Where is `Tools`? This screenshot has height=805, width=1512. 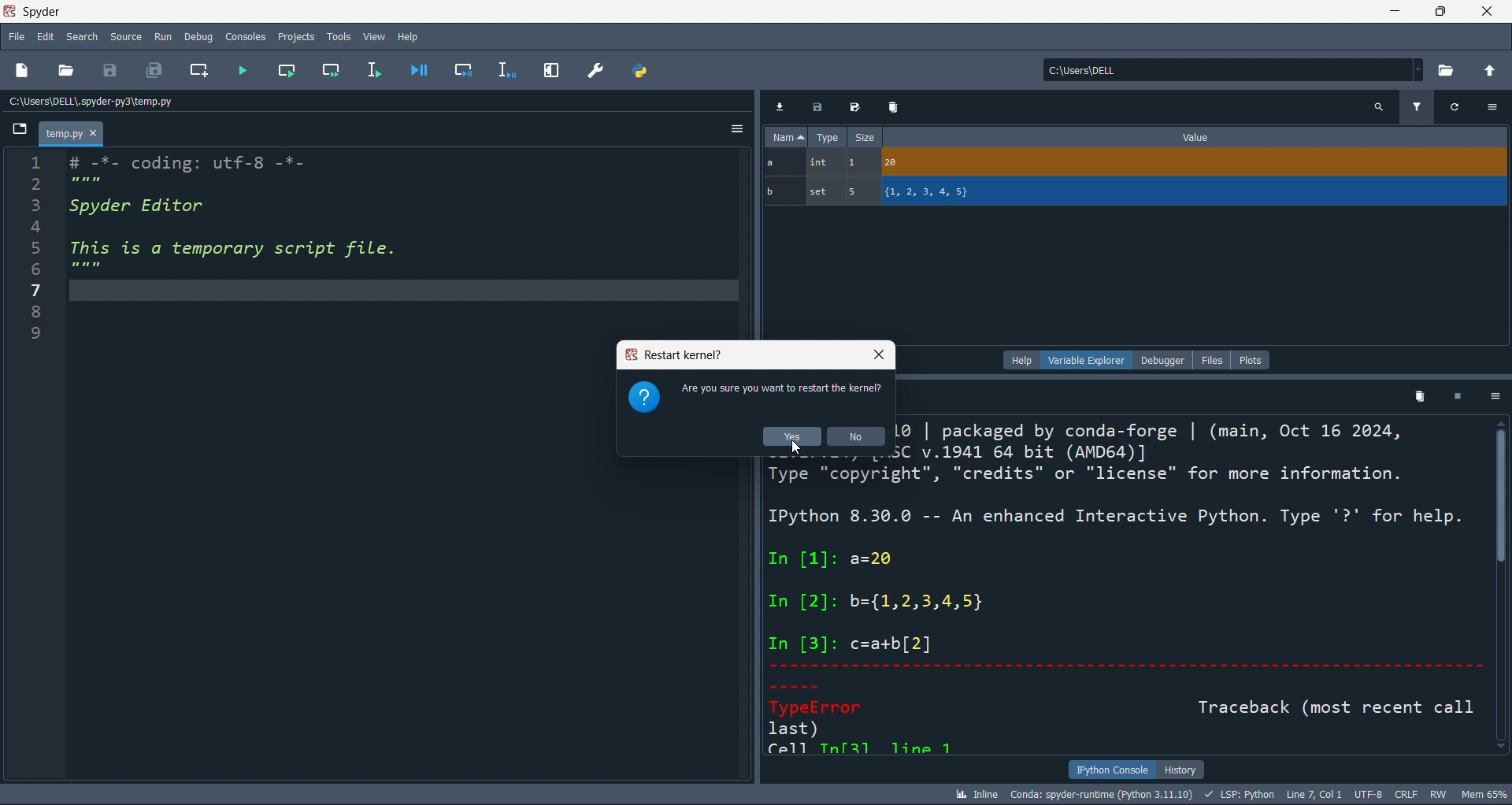
Tools is located at coordinates (337, 37).